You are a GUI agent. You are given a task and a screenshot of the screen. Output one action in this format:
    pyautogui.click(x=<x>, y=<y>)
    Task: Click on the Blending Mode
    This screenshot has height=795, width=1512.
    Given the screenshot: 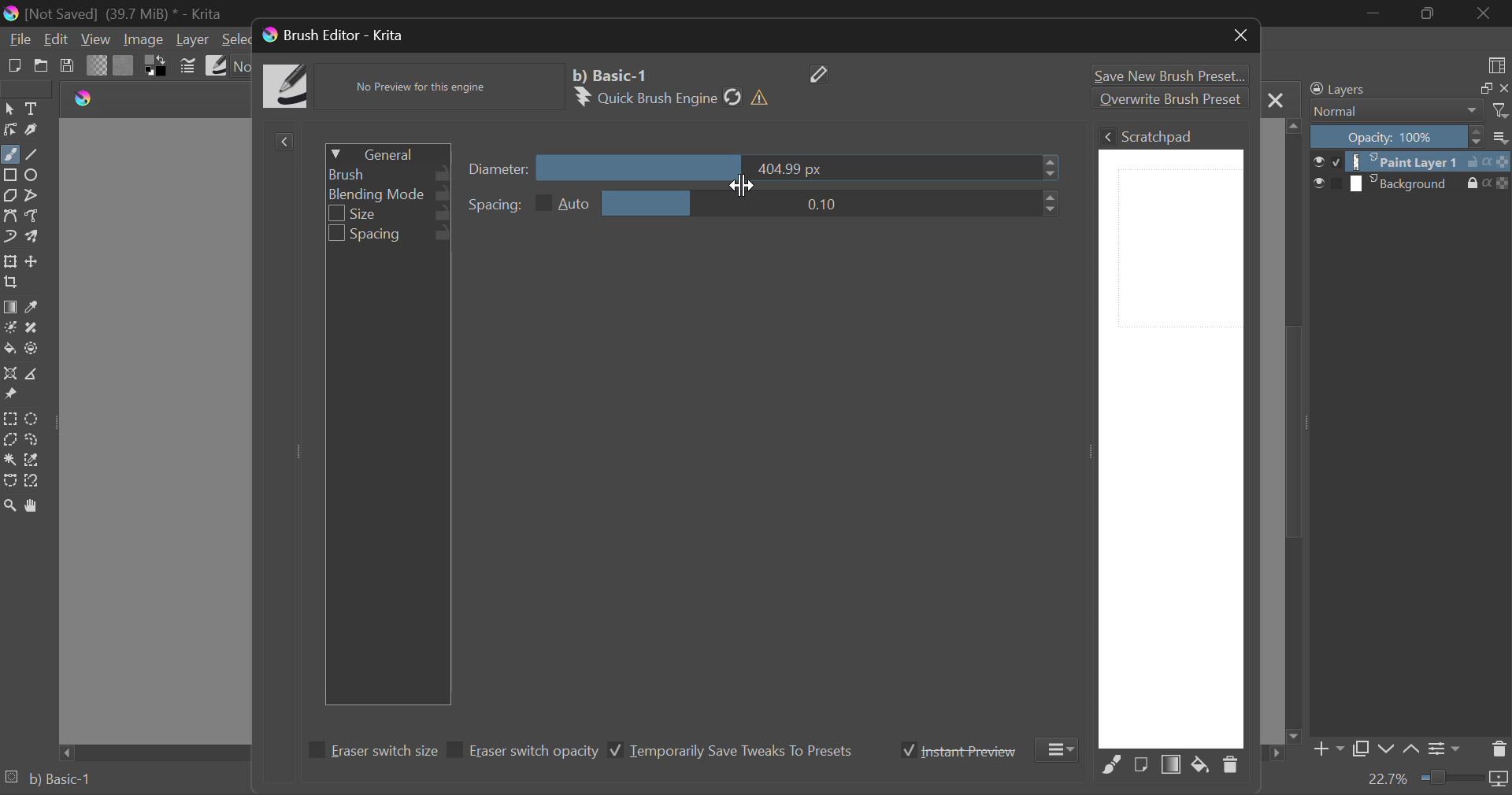 What is the action you would take?
    pyautogui.click(x=1408, y=112)
    